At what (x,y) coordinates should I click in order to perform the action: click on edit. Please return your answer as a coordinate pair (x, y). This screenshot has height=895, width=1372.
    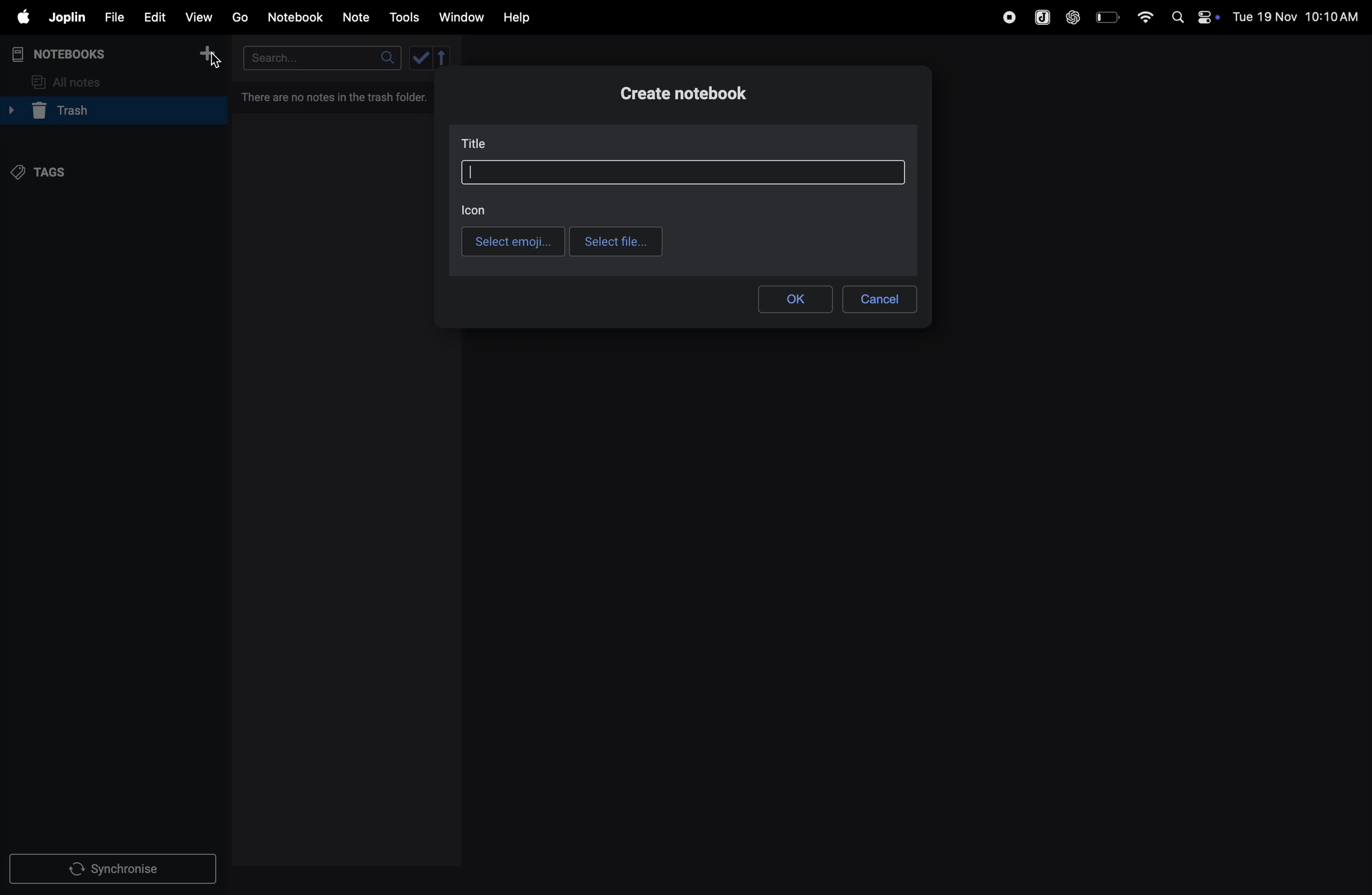
    Looking at the image, I should click on (154, 16).